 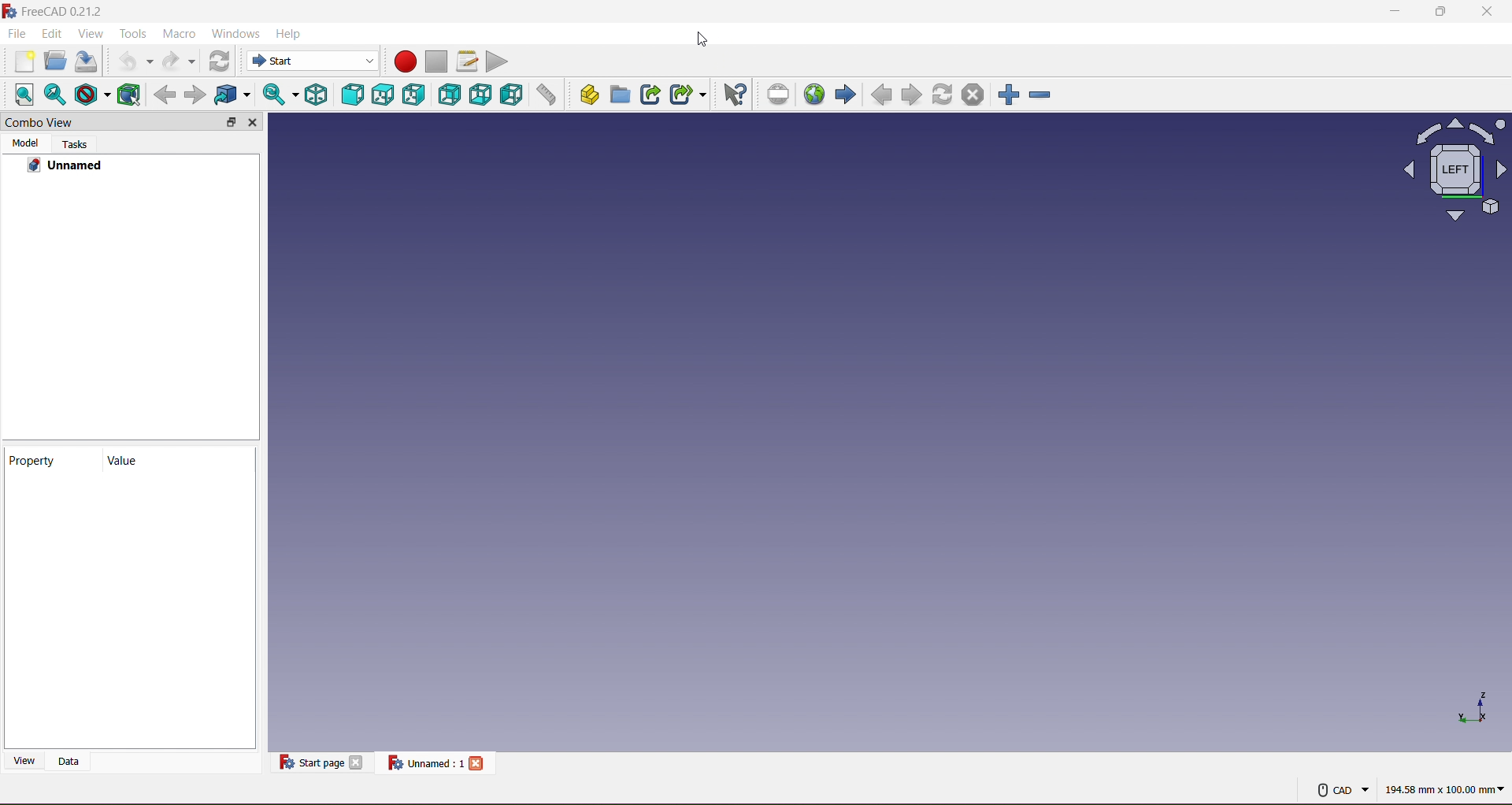 What do you see at coordinates (590, 93) in the screenshot?
I see `Create Part` at bounding box center [590, 93].